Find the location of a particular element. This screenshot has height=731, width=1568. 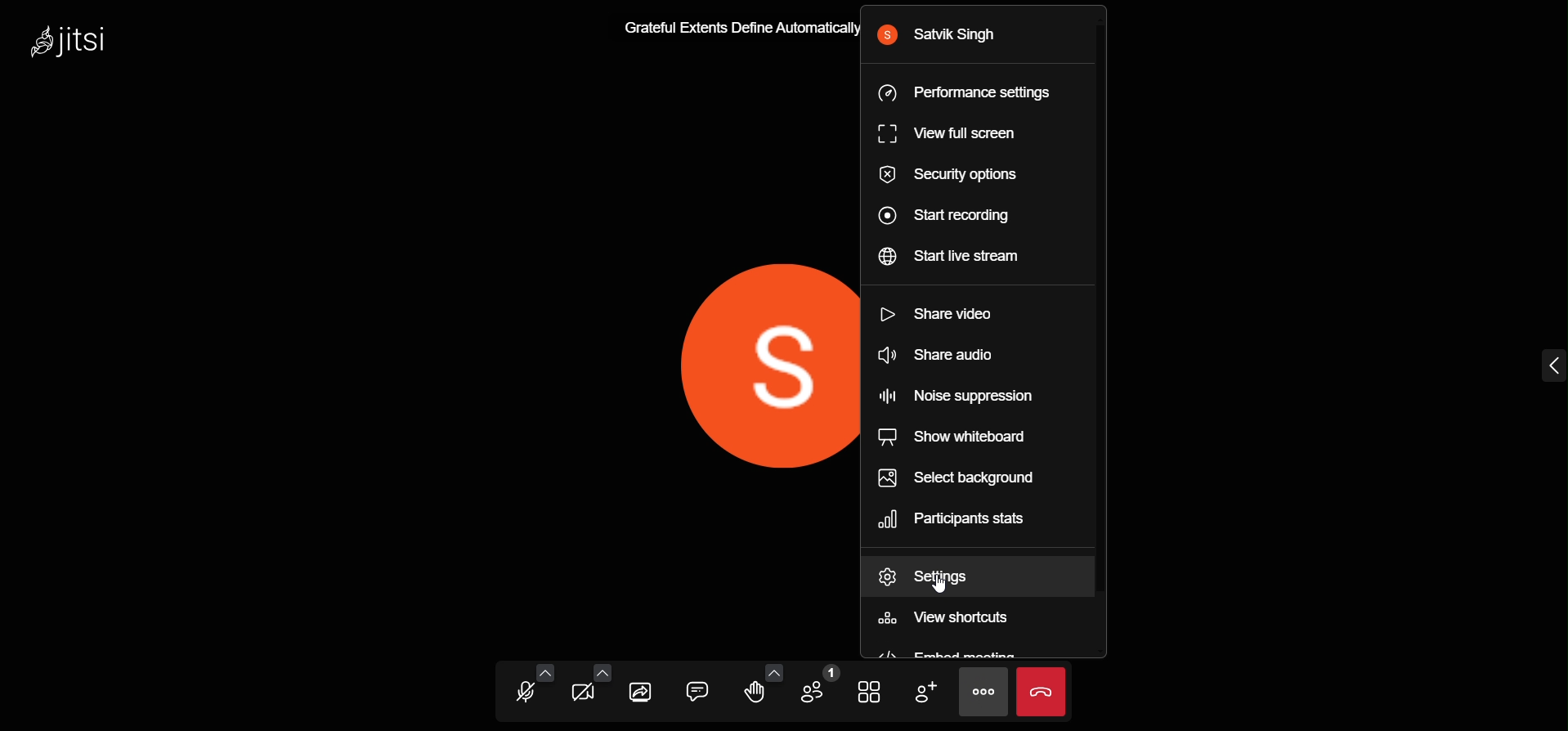

start live stream is located at coordinates (950, 261).